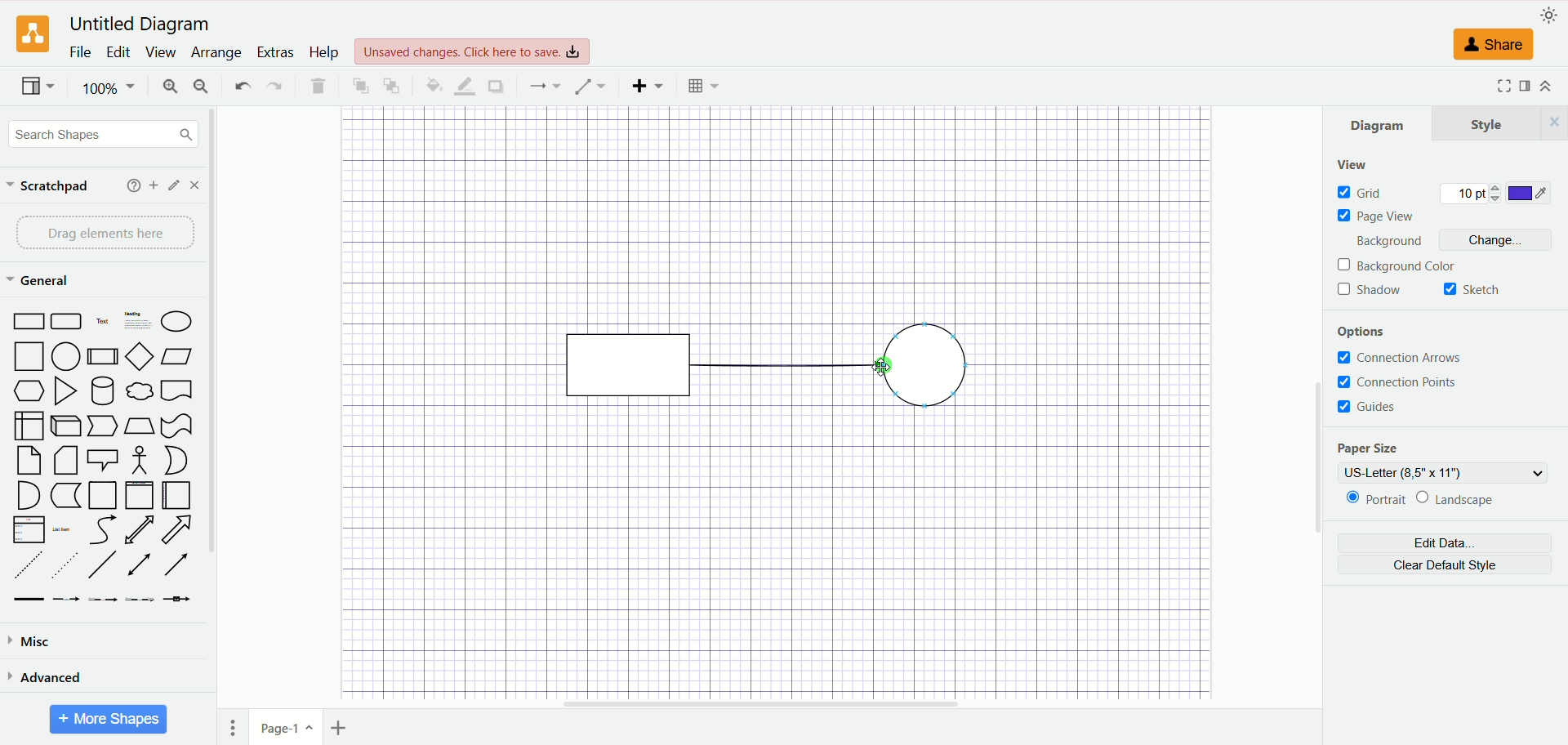 The width and height of the screenshot is (1568, 745). I want to click on 10 pt, so click(1471, 191).